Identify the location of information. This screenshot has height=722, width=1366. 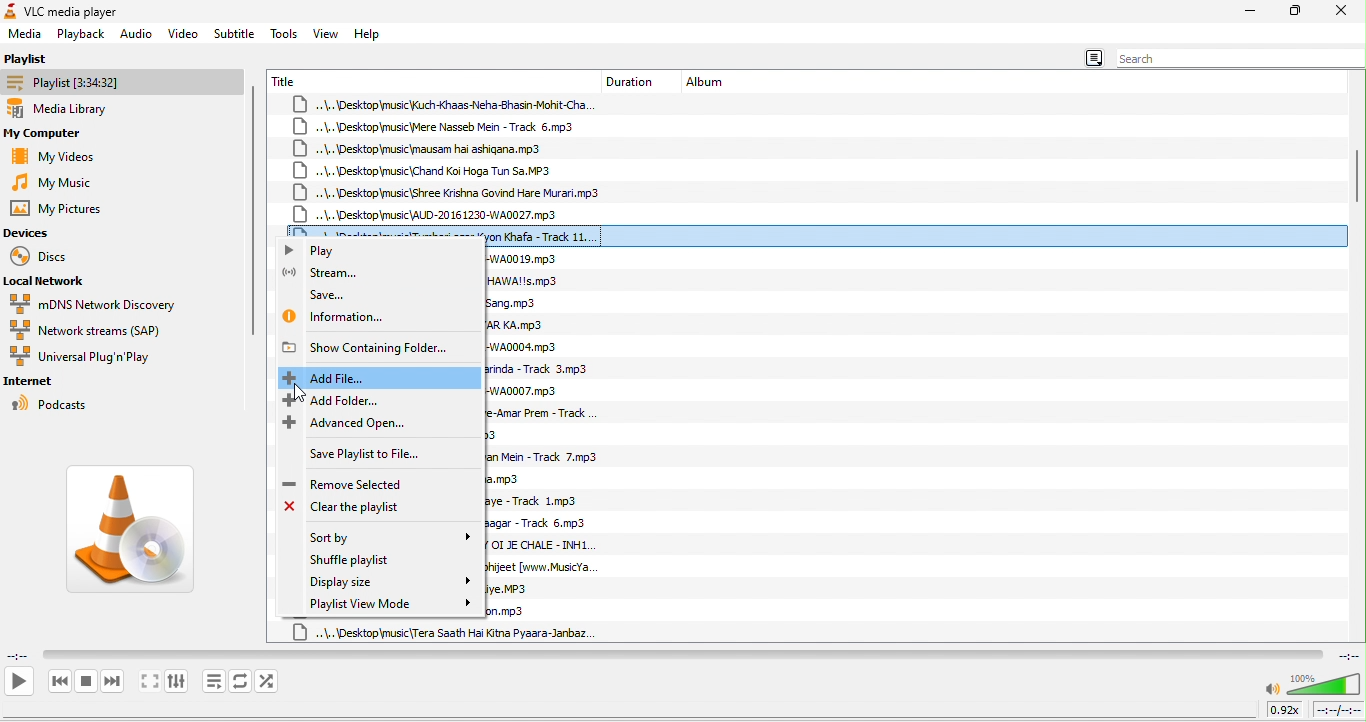
(343, 317).